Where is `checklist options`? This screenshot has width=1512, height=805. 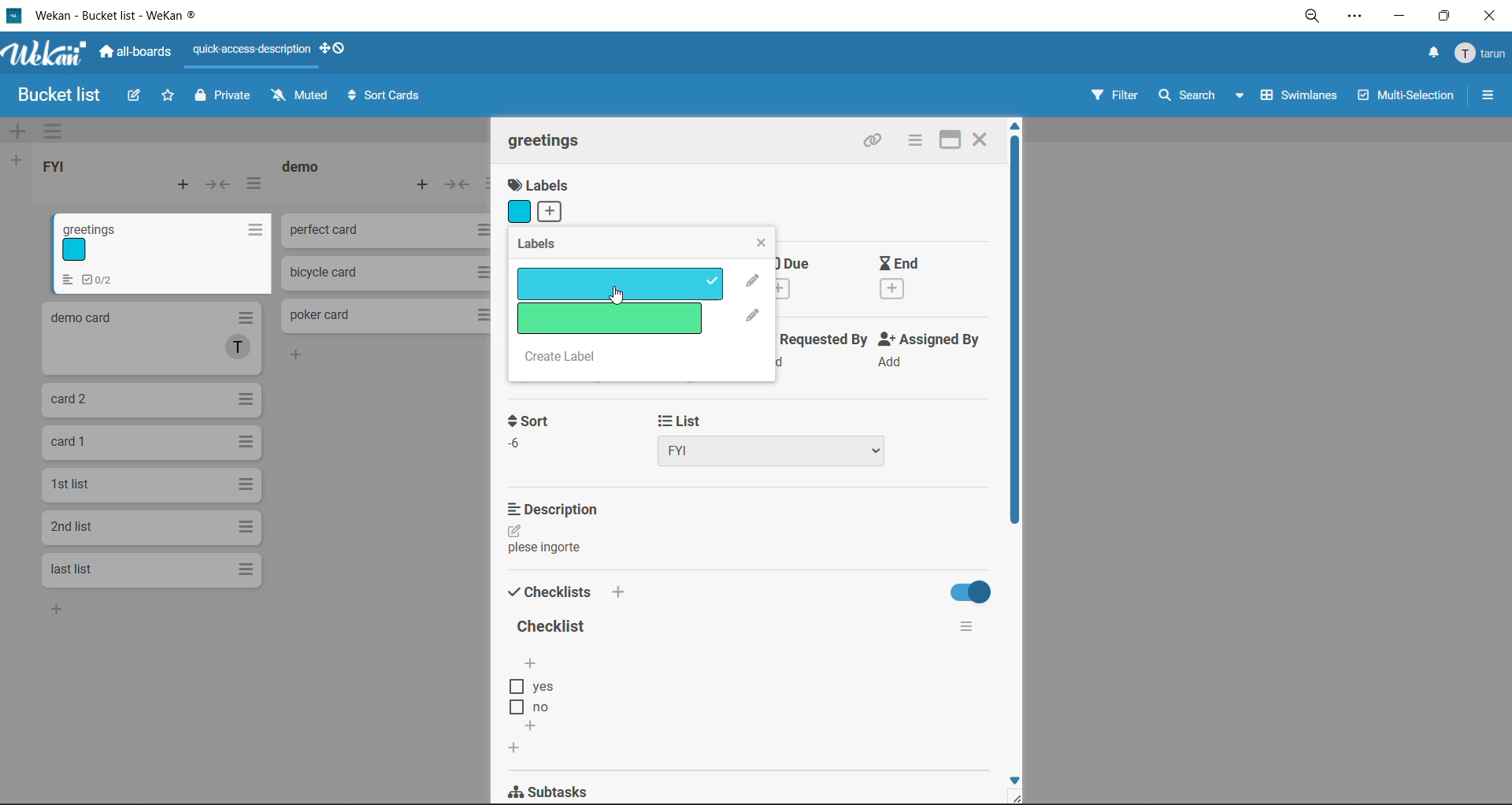
checklist options is located at coordinates (539, 687).